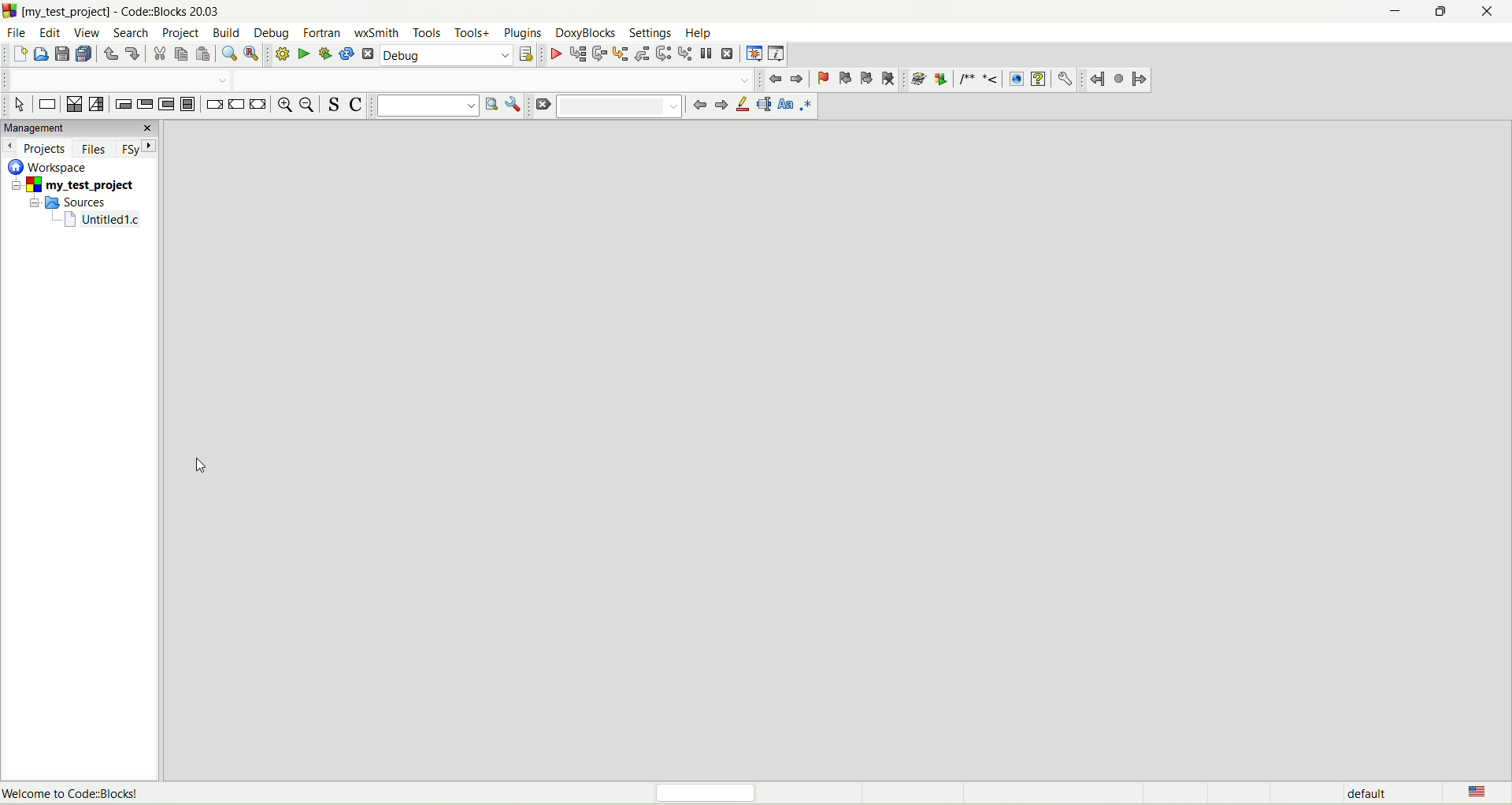 This screenshot has height=805, width=1512. What do you see at coordinates (73, 187) in the screenshot?
I see `project` at bounding box center [73, 187].